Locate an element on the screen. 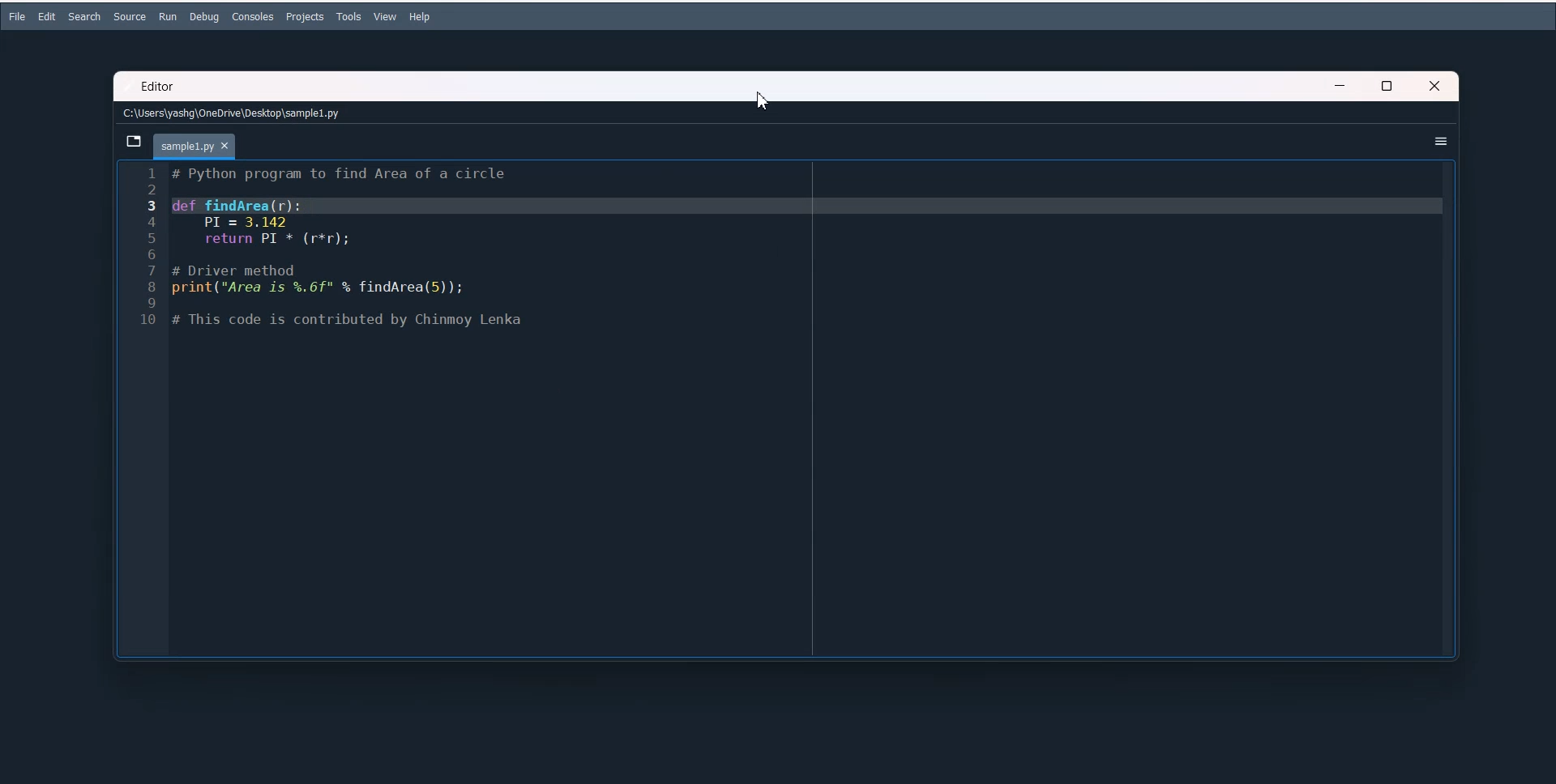  Help is located at coordinates (420, 17).